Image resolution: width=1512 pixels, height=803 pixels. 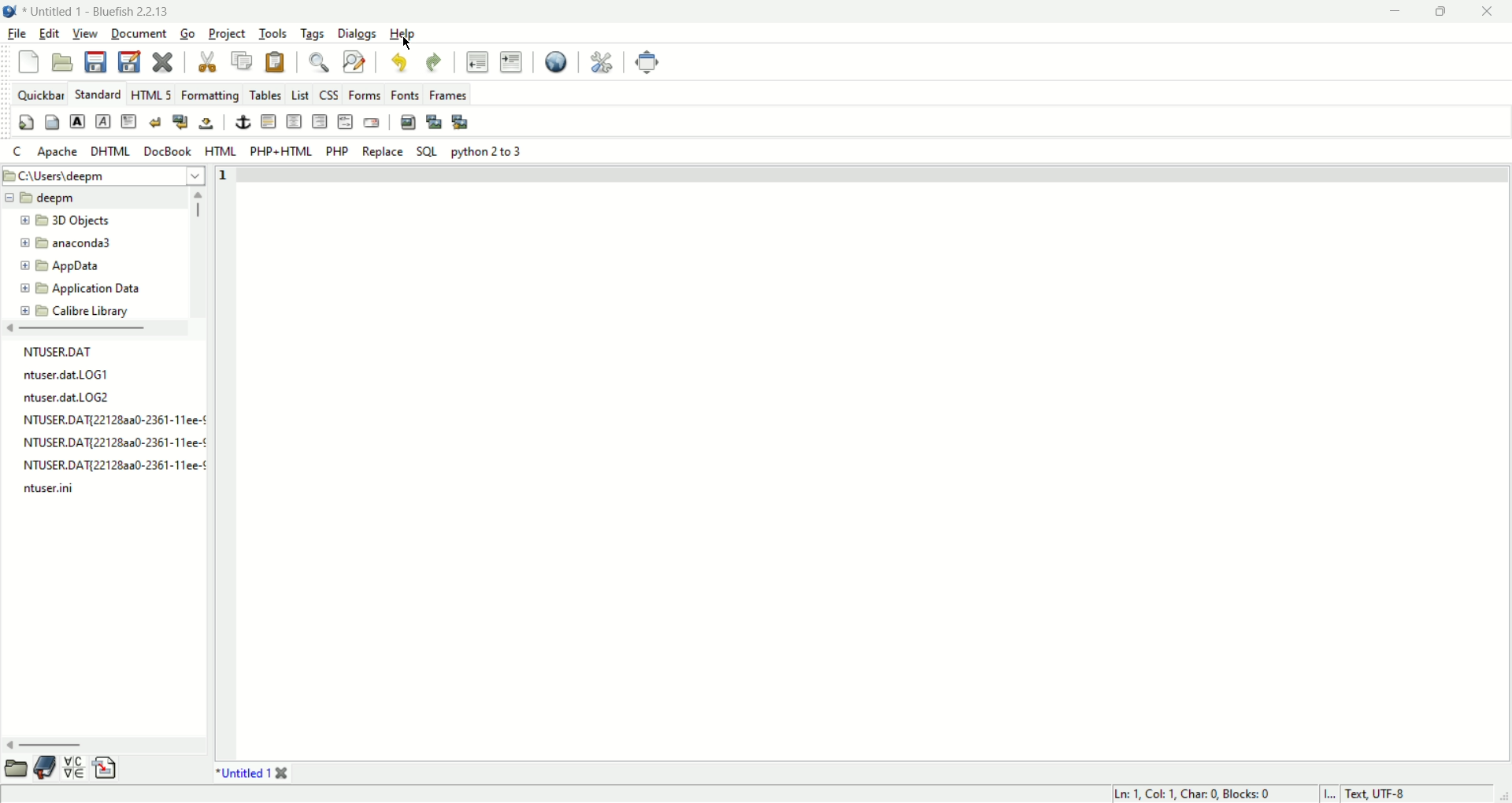 What do you see at coordinates (208, 121) in the screenshot?
I see `non breaking space` at bounding box center [208, 121].